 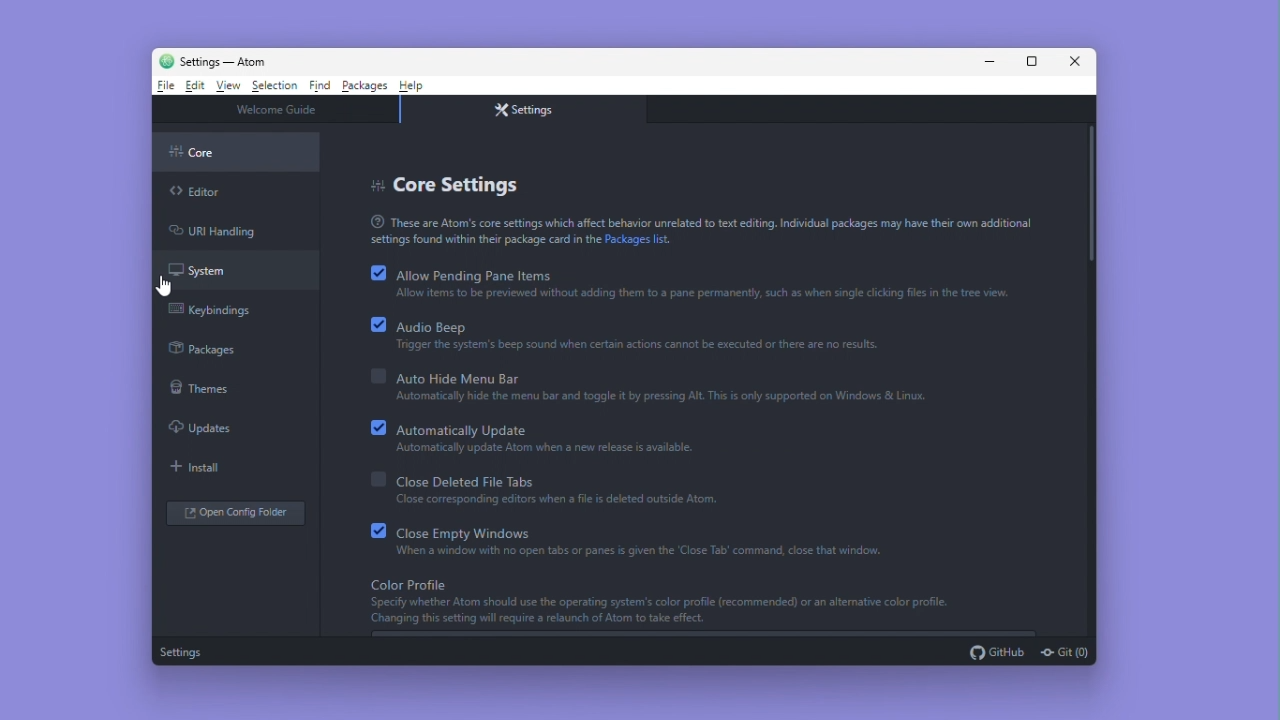 What do you see at coordinates (446, 427) in the screenshot?
I see `Automatically update` at bounding box center [446, 427].